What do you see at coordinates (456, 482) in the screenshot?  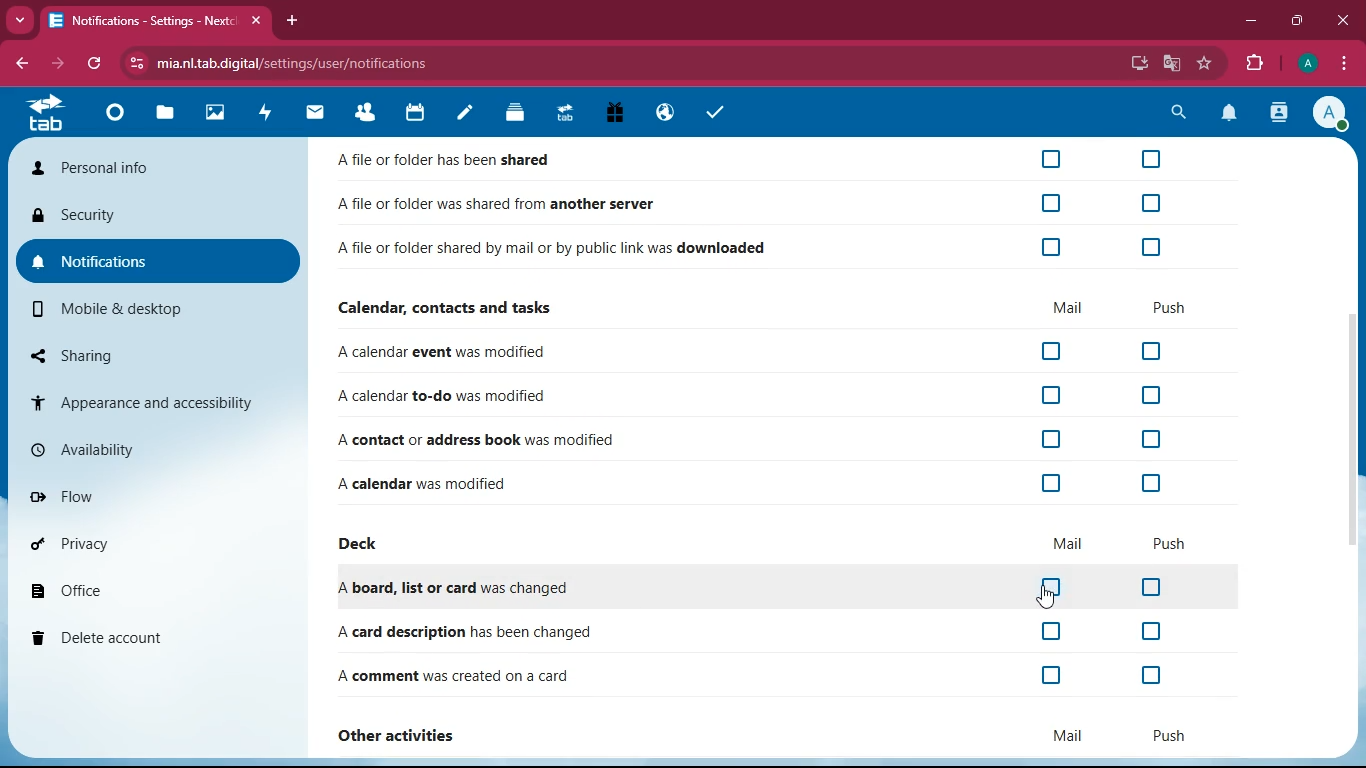 I see `A calendar was modified` at bounding box center [456, 482].